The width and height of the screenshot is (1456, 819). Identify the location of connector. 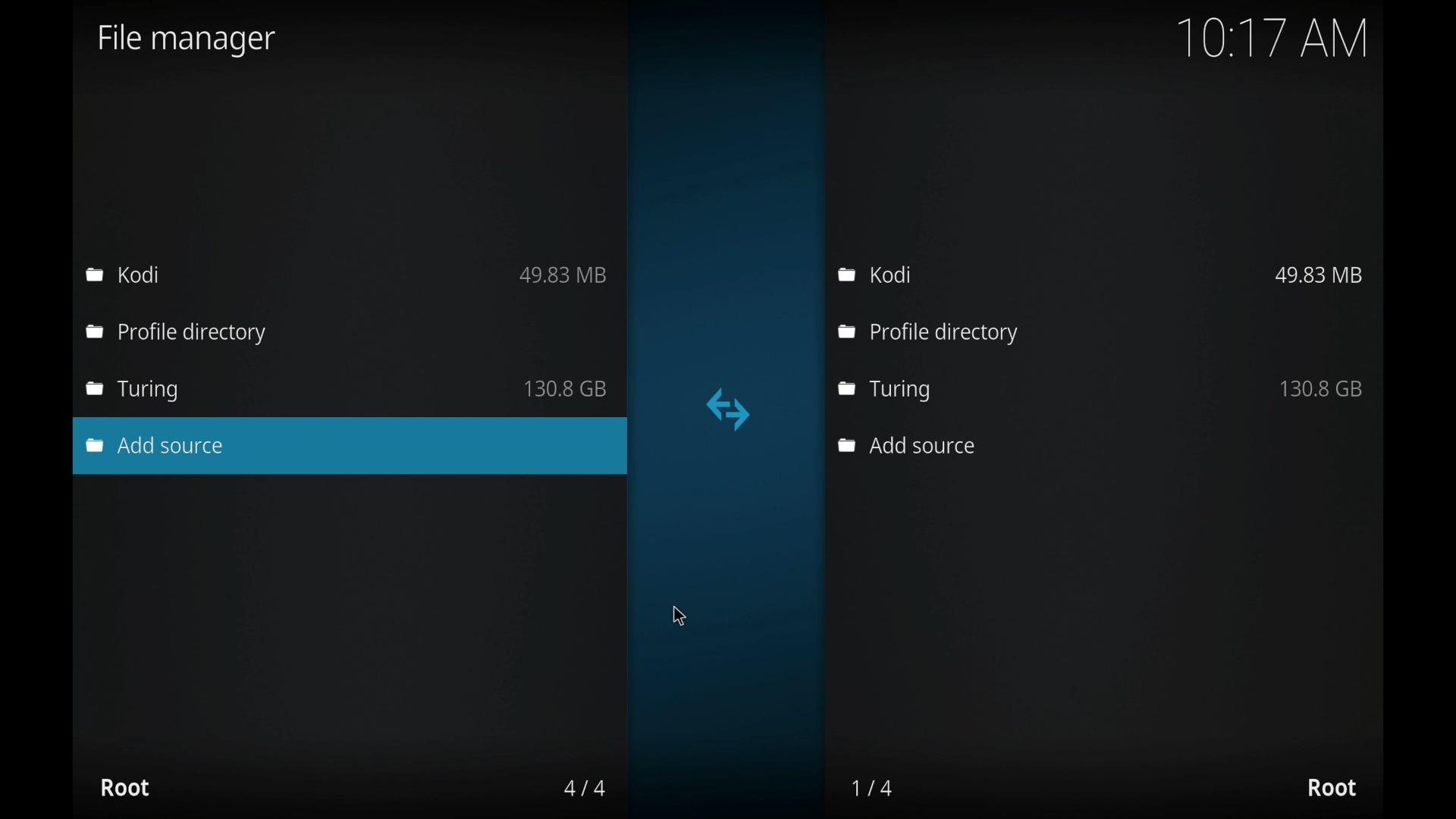
(729, 409).